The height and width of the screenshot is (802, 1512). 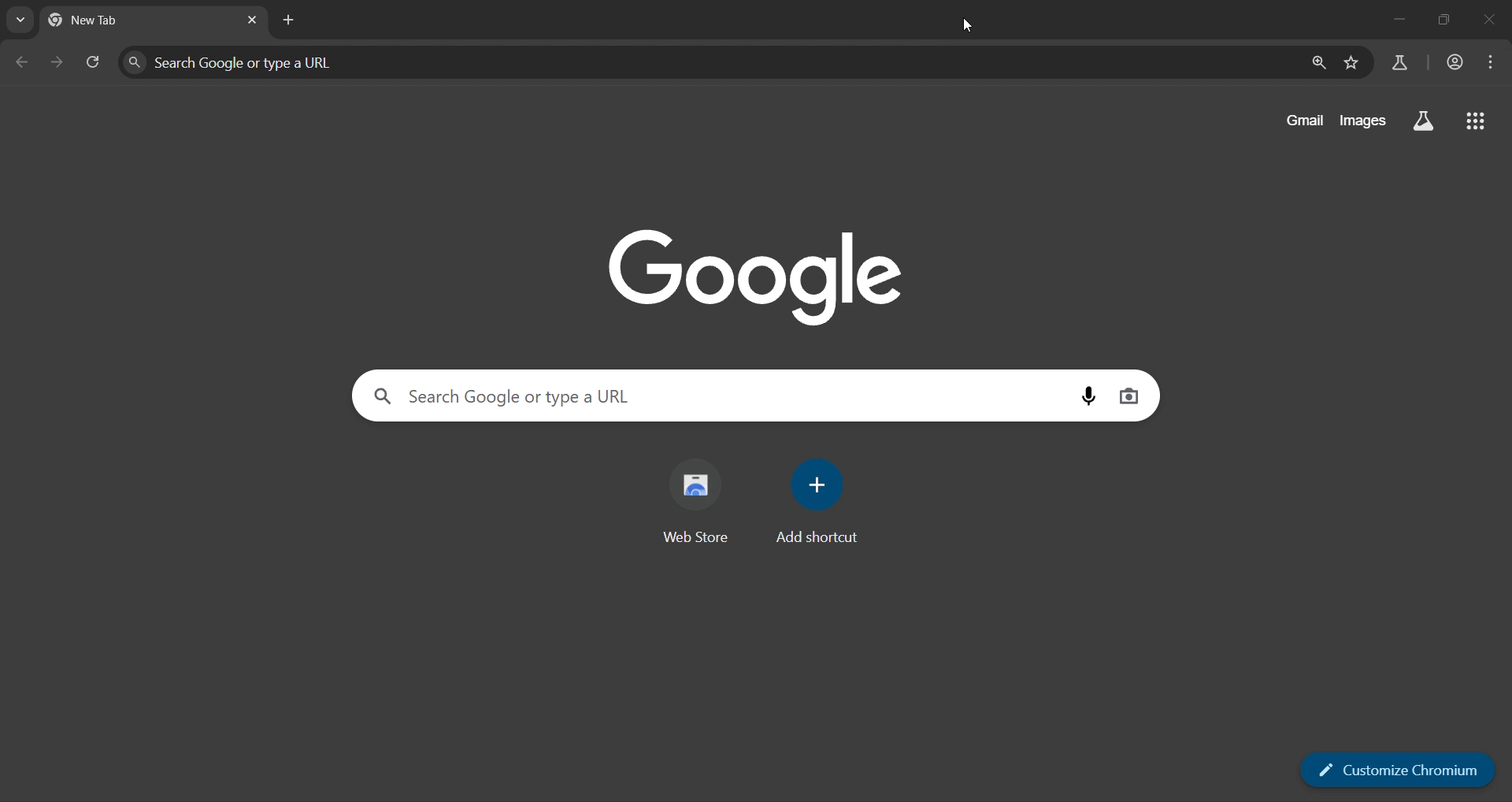 I want to click on gmail, so click(x=1301, y=122).